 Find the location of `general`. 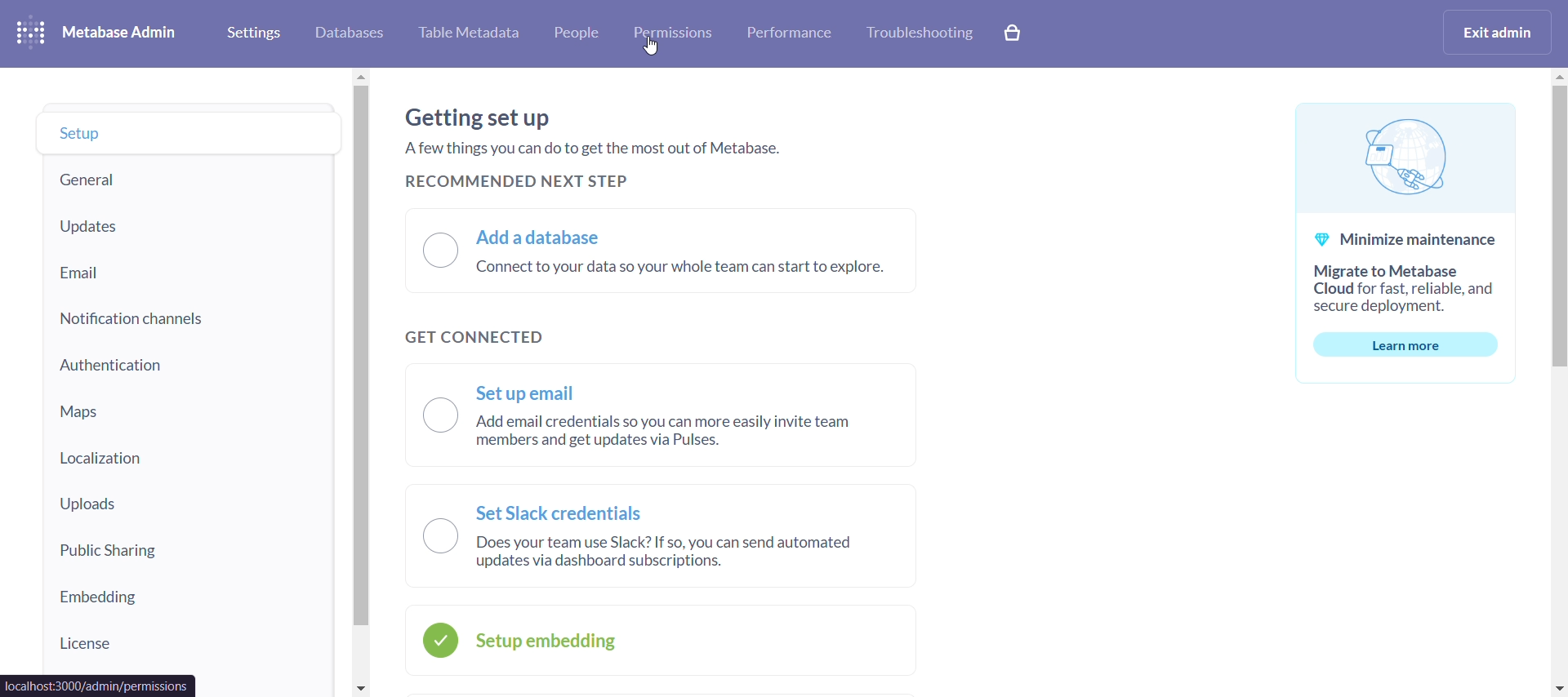

general is located at coordinates (185, 178).